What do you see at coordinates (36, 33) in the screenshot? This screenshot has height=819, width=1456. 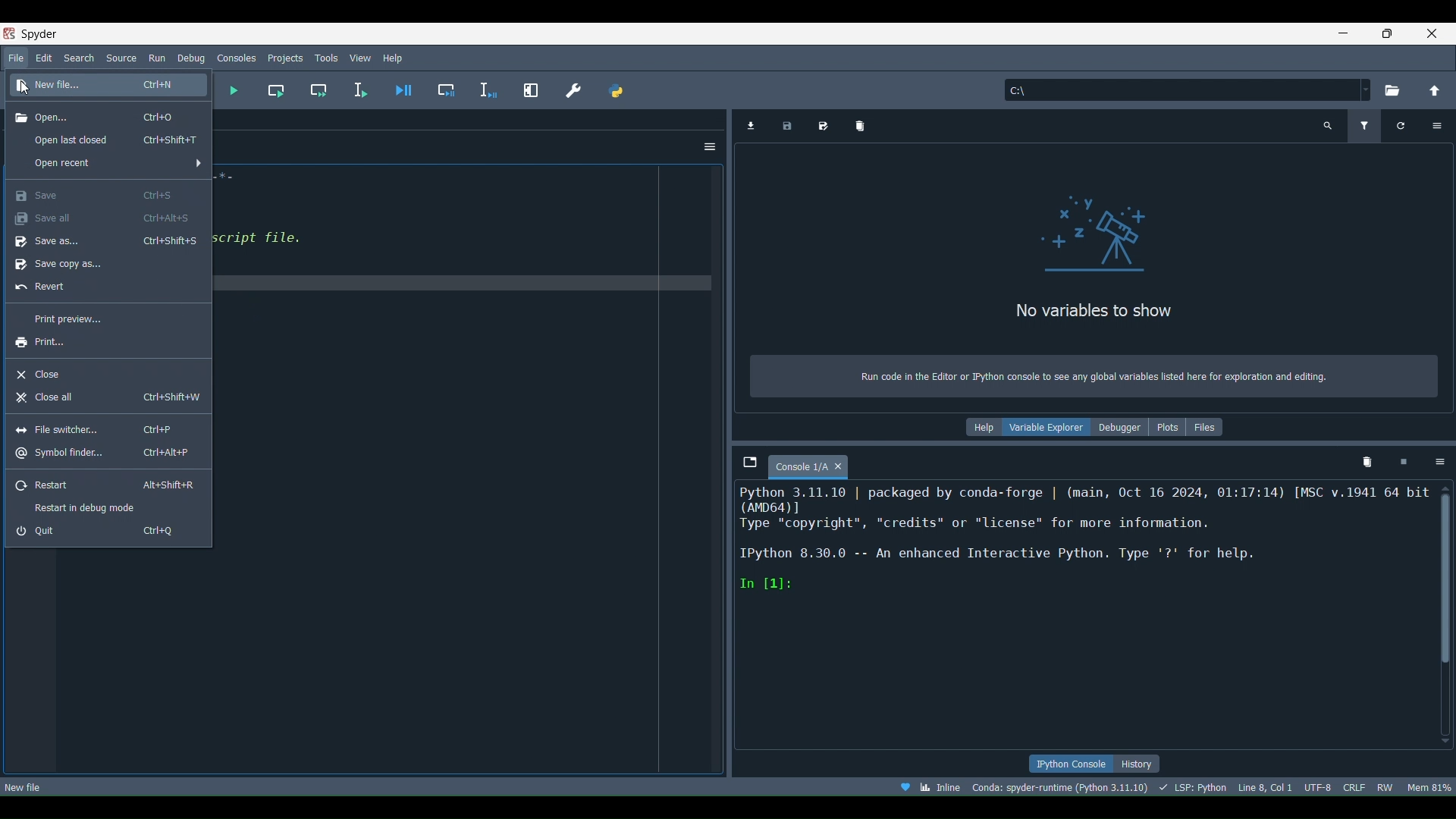 I see `spyder logo` at bounding box center [36, 33].